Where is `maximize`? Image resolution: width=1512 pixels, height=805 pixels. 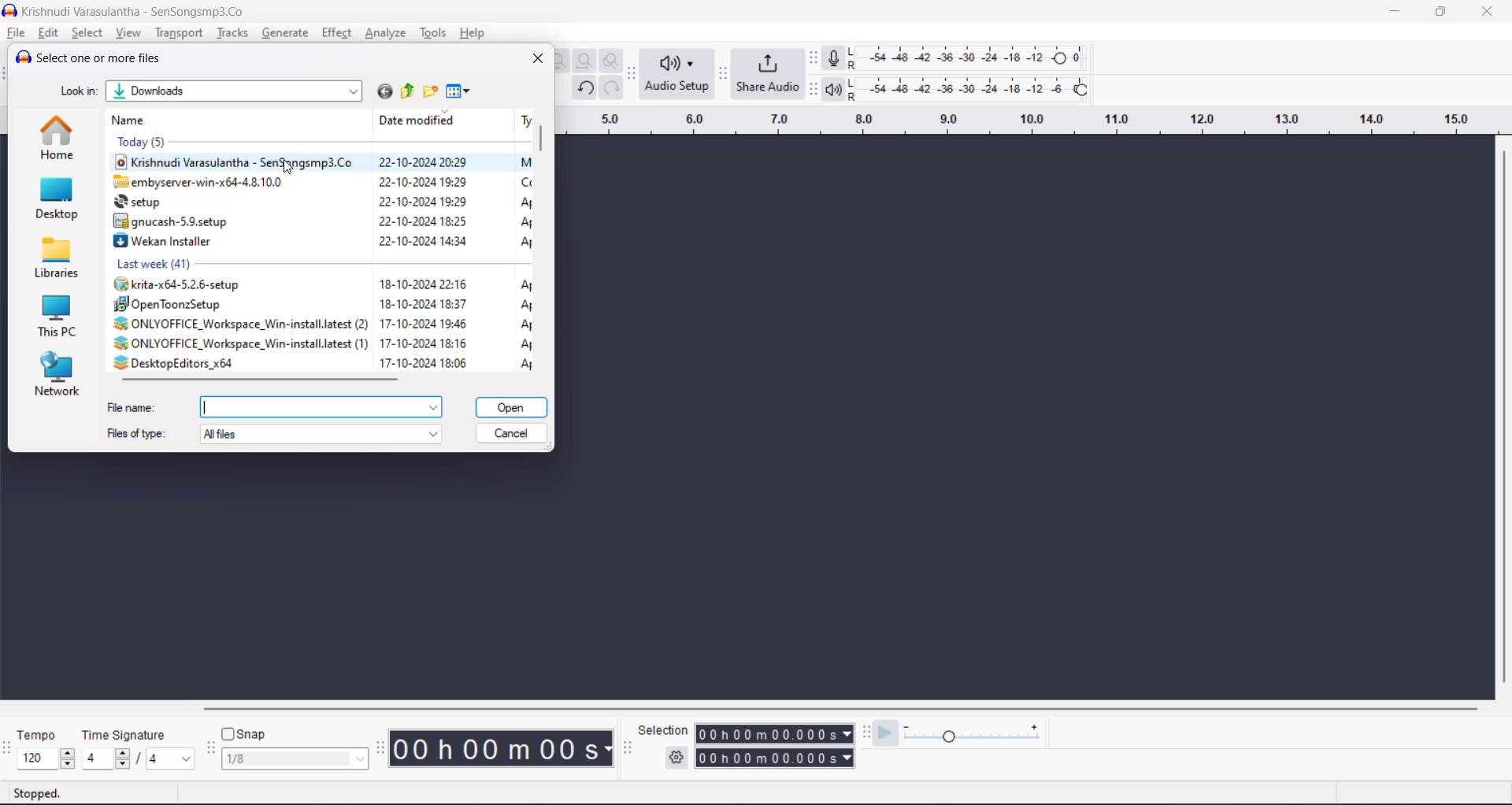
maximize is located at coordinates (1436, 12).